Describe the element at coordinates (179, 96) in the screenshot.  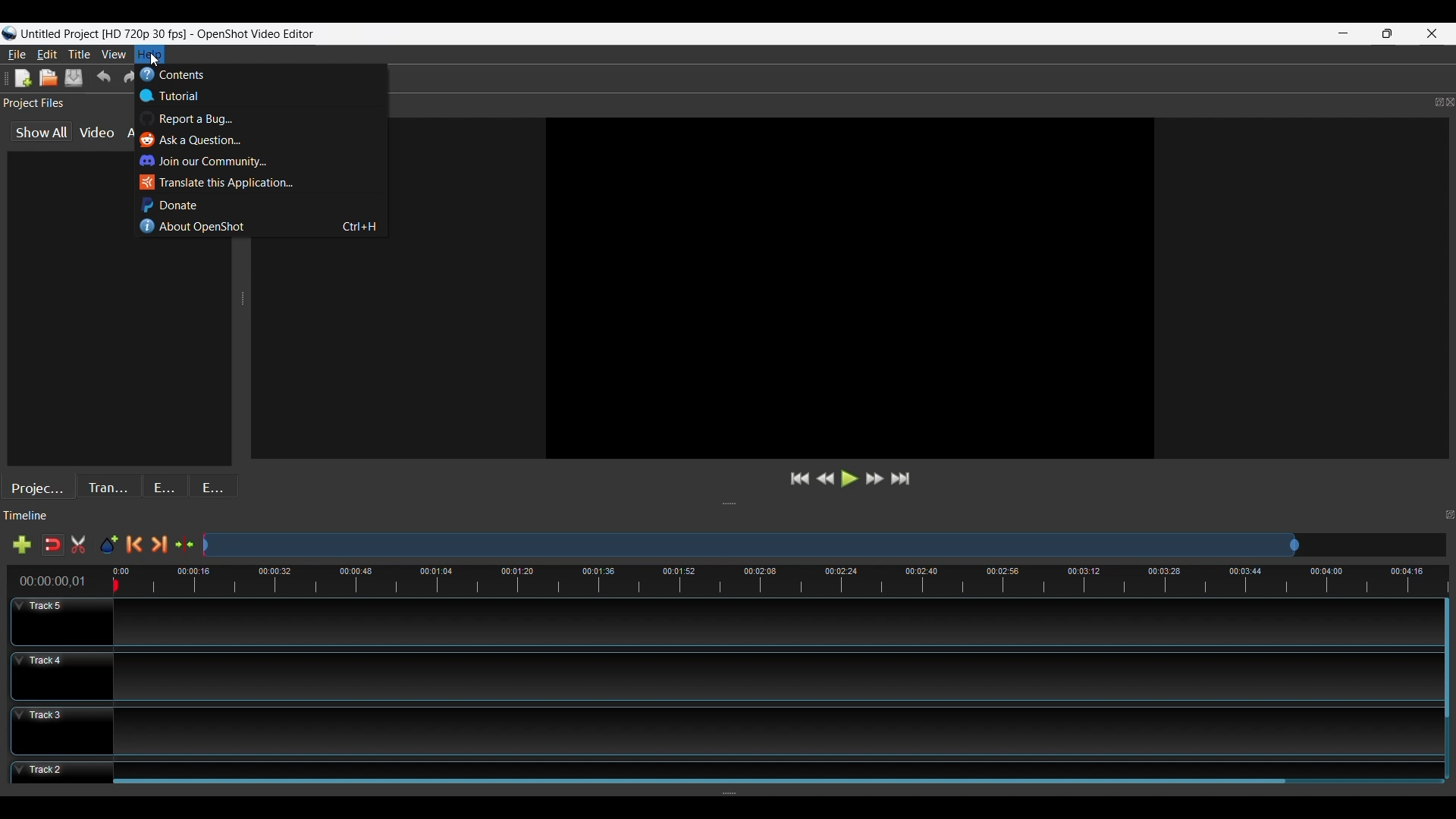
I see `Tutorial` at that location.